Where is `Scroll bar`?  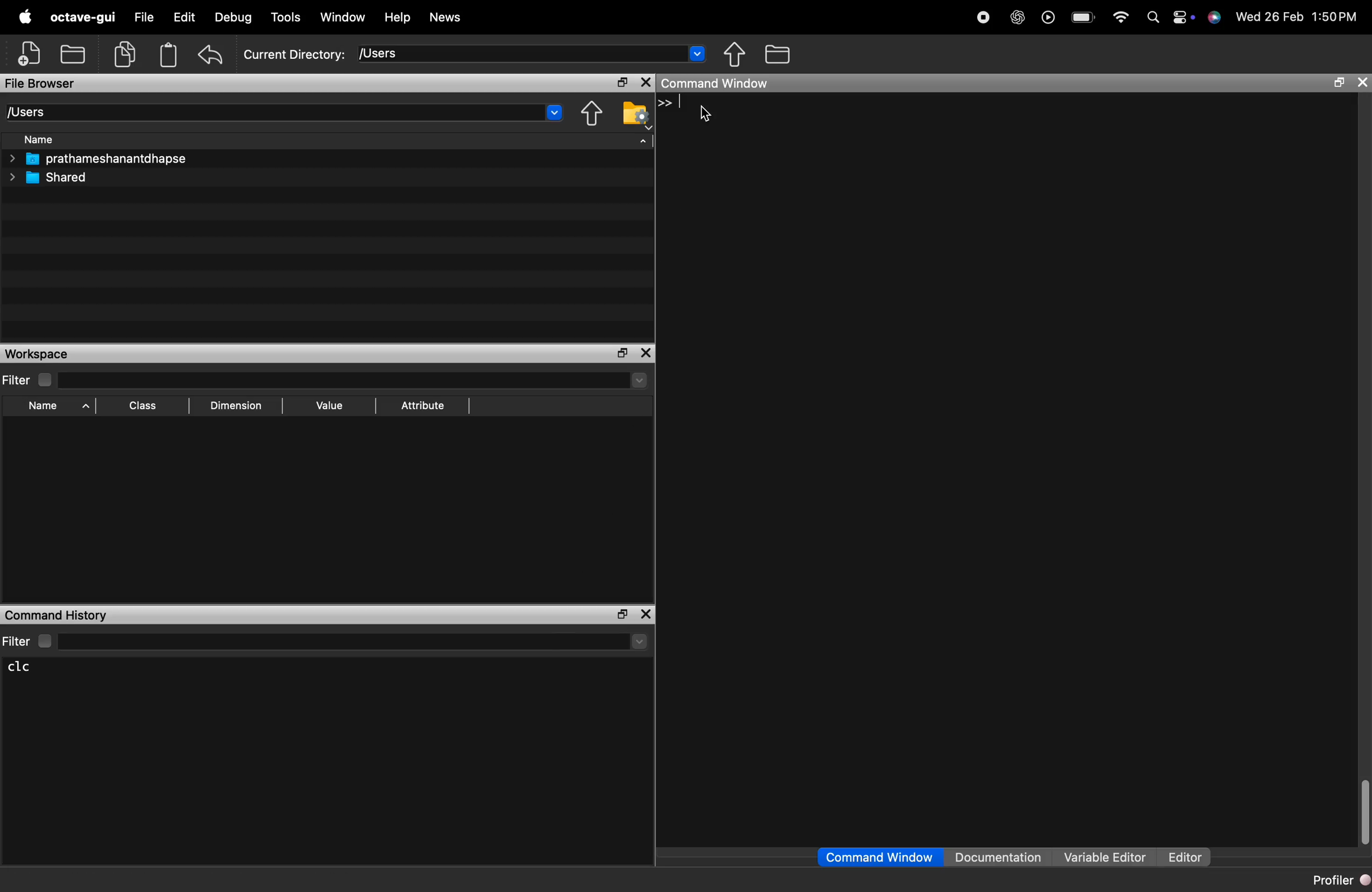 Scroll bar is located at coordinates (1363, 812).